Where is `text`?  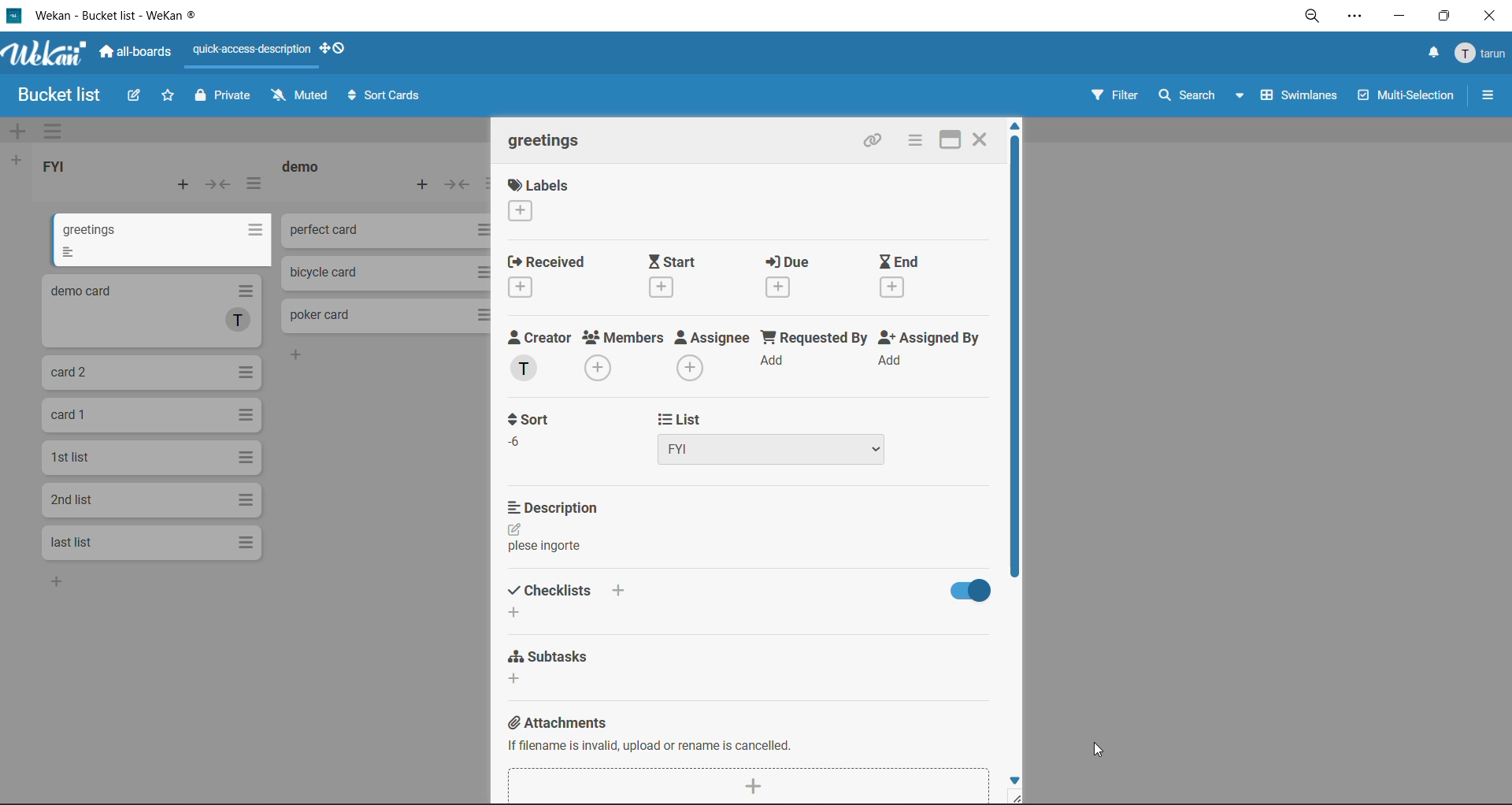
text is located at coordinates (552, 547).